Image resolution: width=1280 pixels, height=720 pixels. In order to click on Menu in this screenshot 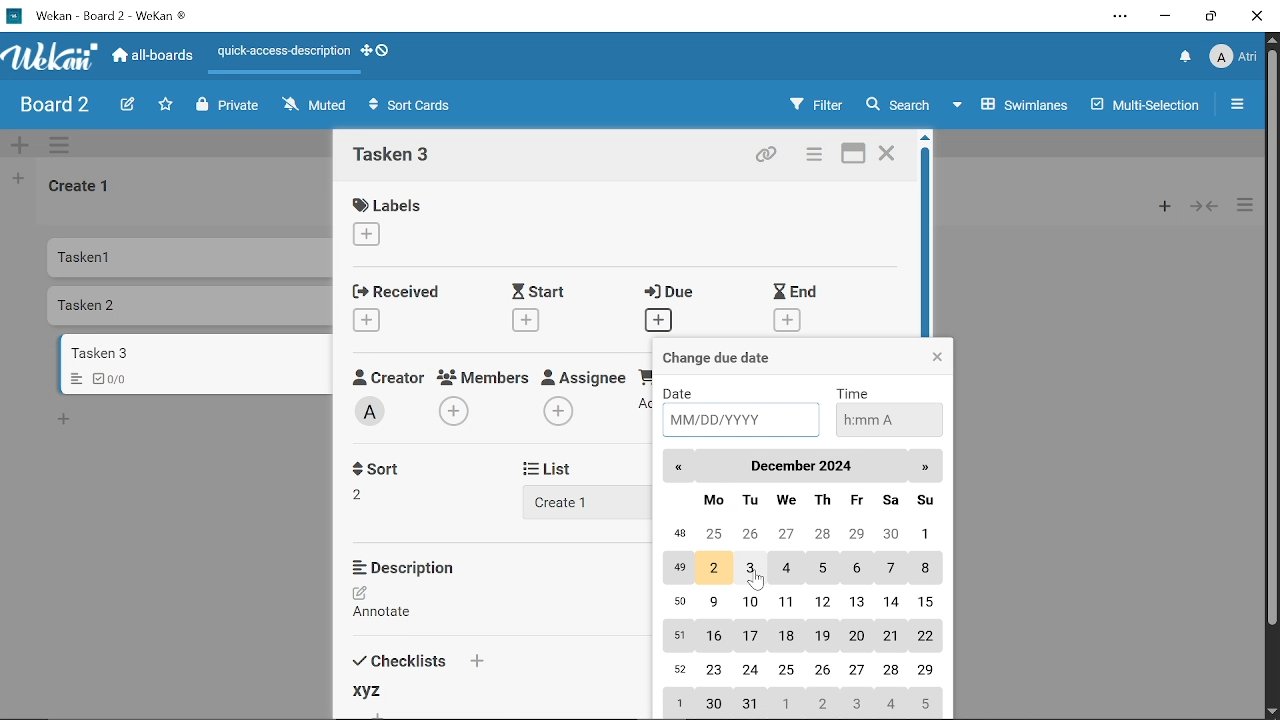, I will do `click(72, 380)`.